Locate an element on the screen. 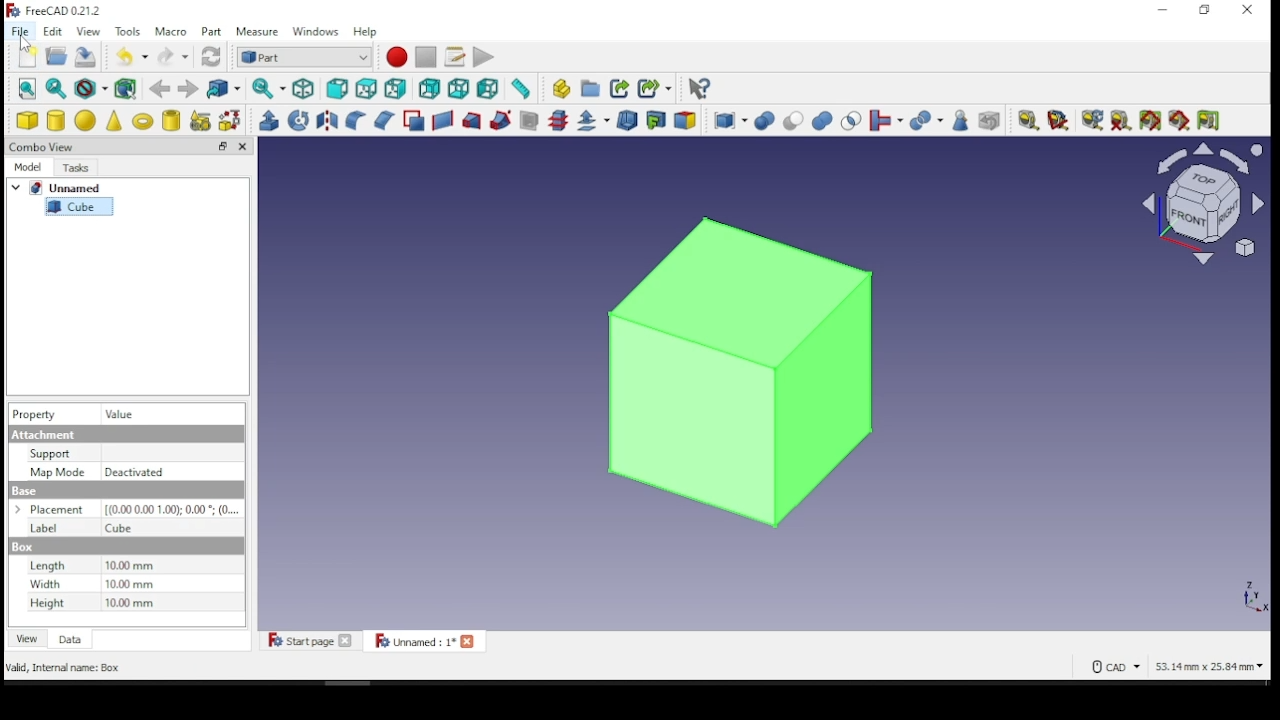  what's this? is located at coordinates (699, 90).